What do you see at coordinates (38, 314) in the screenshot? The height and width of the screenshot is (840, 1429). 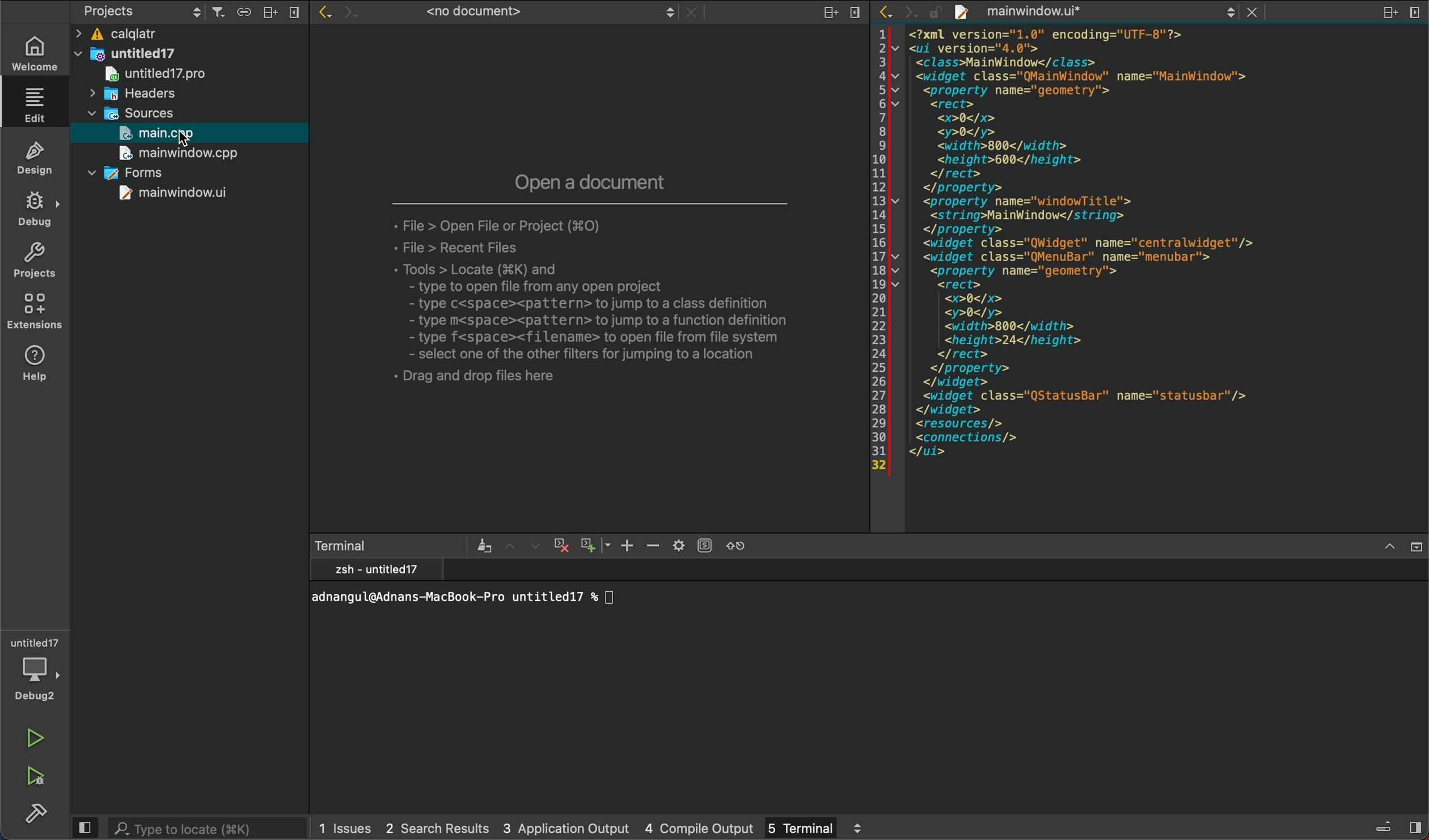 I see `extensions` at bounding box center [38, 314].